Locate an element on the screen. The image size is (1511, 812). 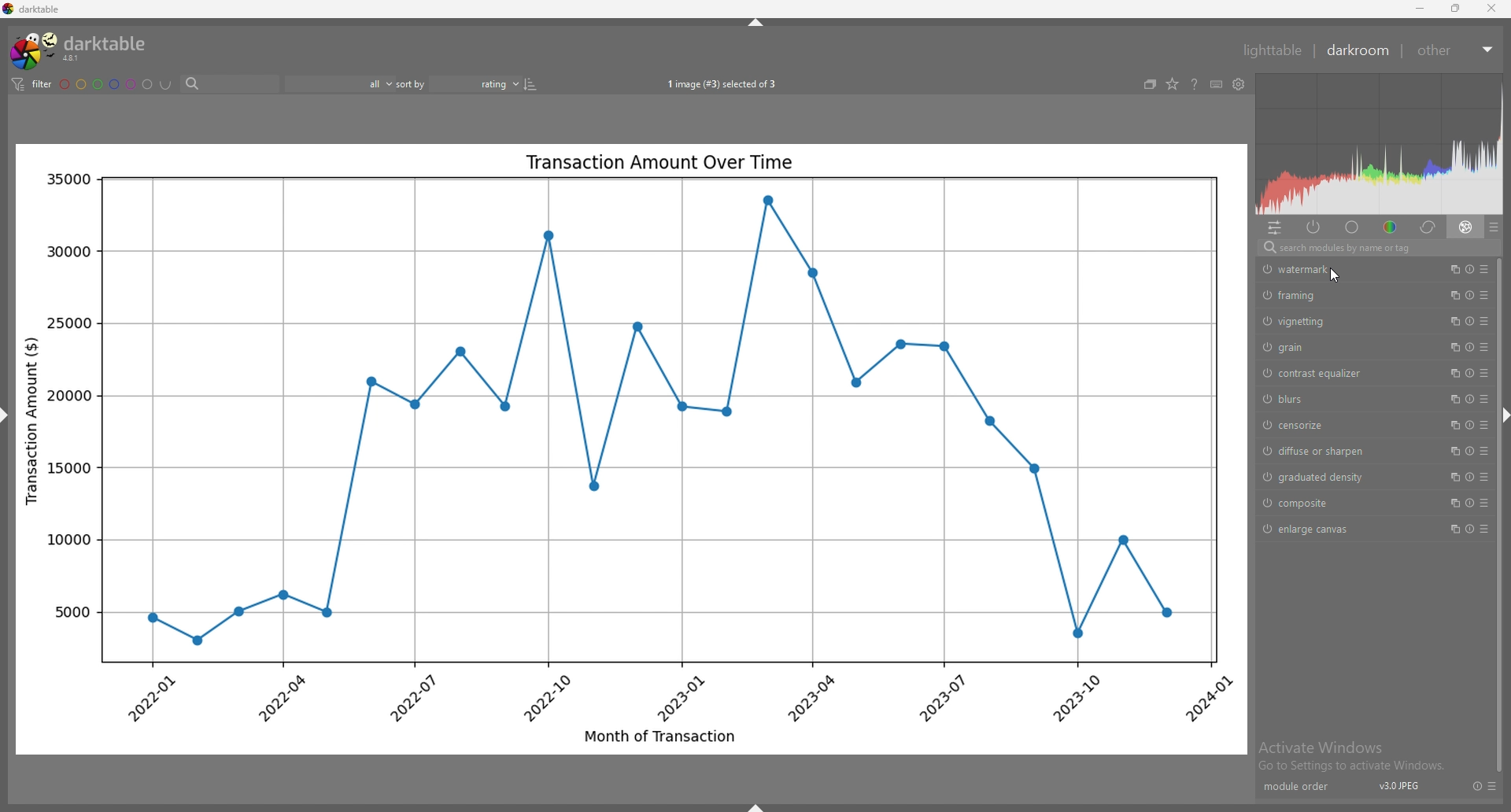
quick access panel is located at coordinates (1274, 227).